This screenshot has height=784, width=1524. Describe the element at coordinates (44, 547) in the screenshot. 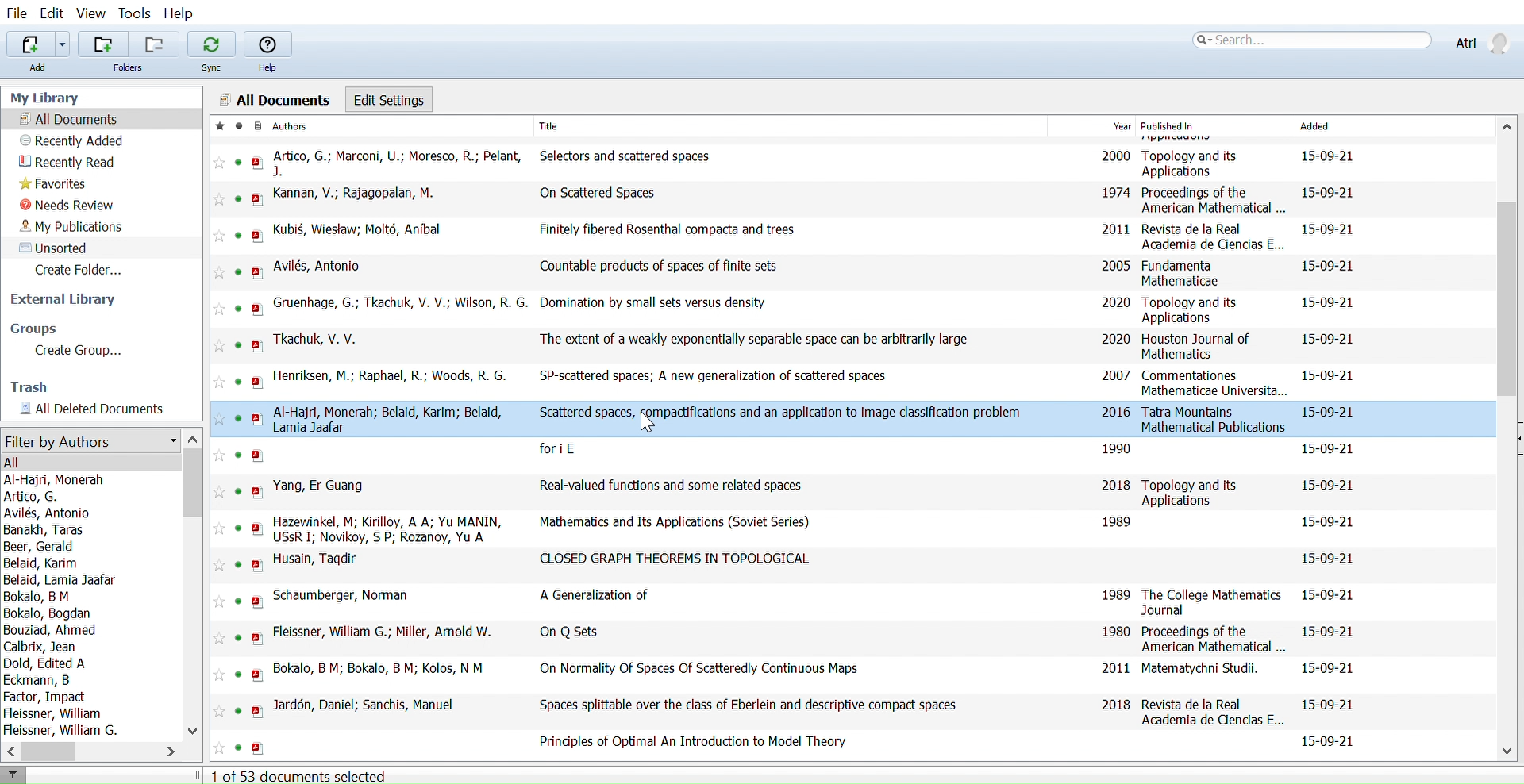

I see `Beer, Gerald` at that location.